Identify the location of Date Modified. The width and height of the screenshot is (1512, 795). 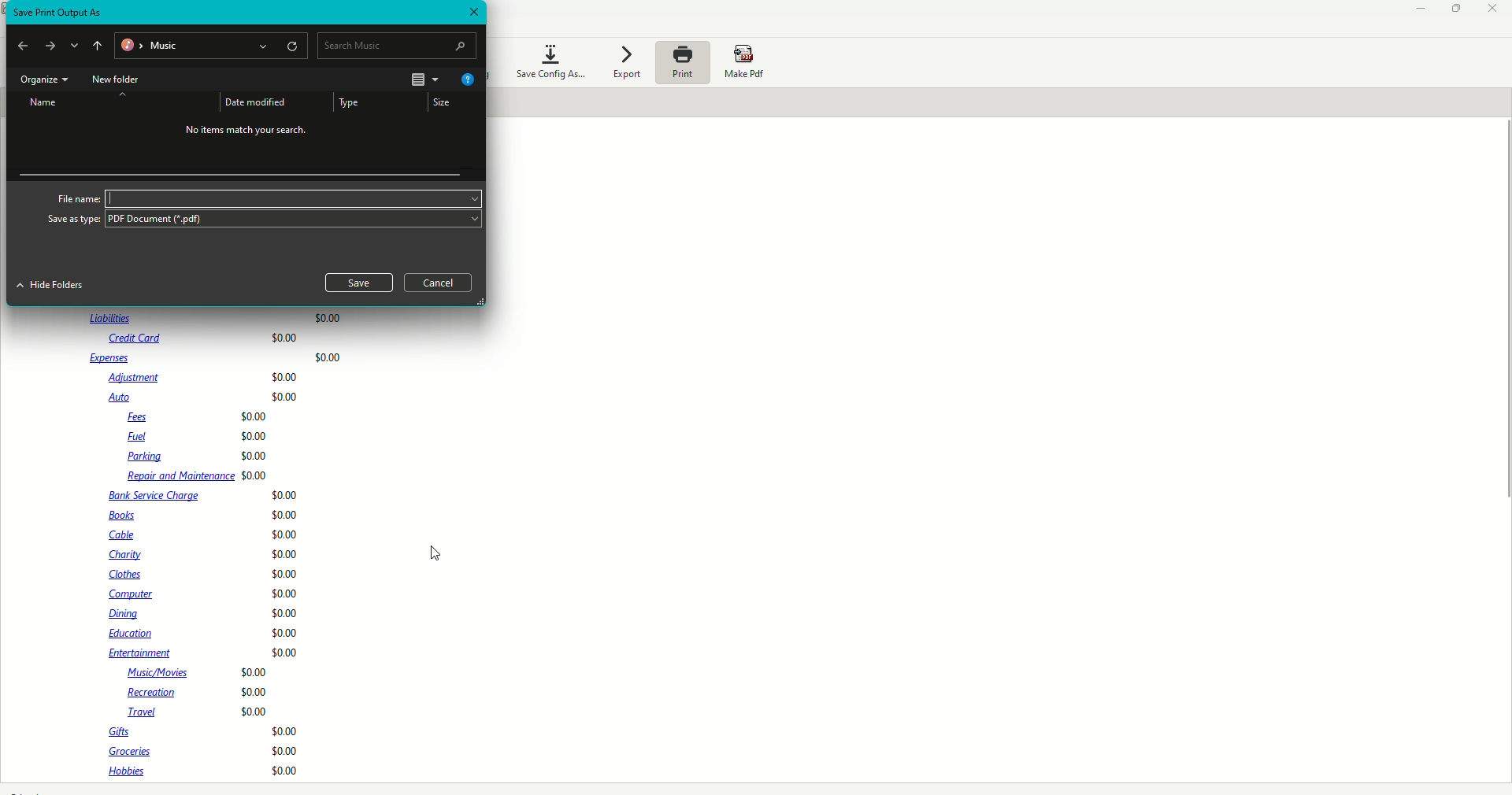
(254, 102).